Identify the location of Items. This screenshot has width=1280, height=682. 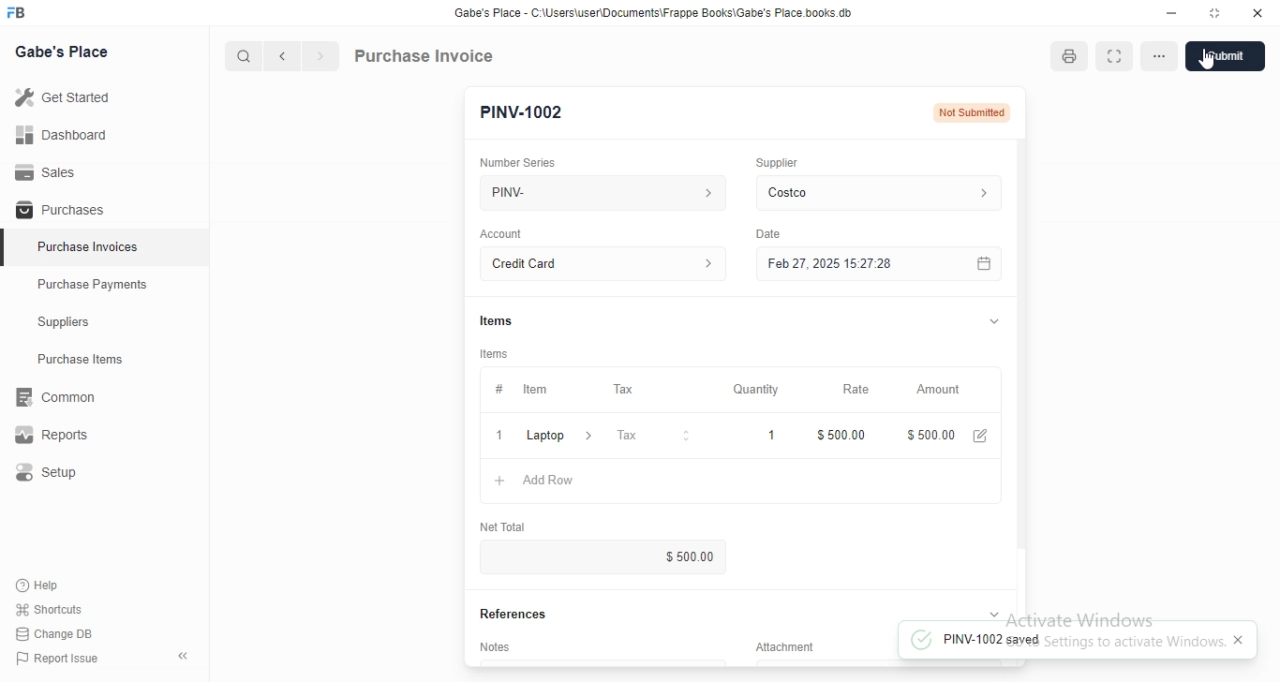
(494, 354).